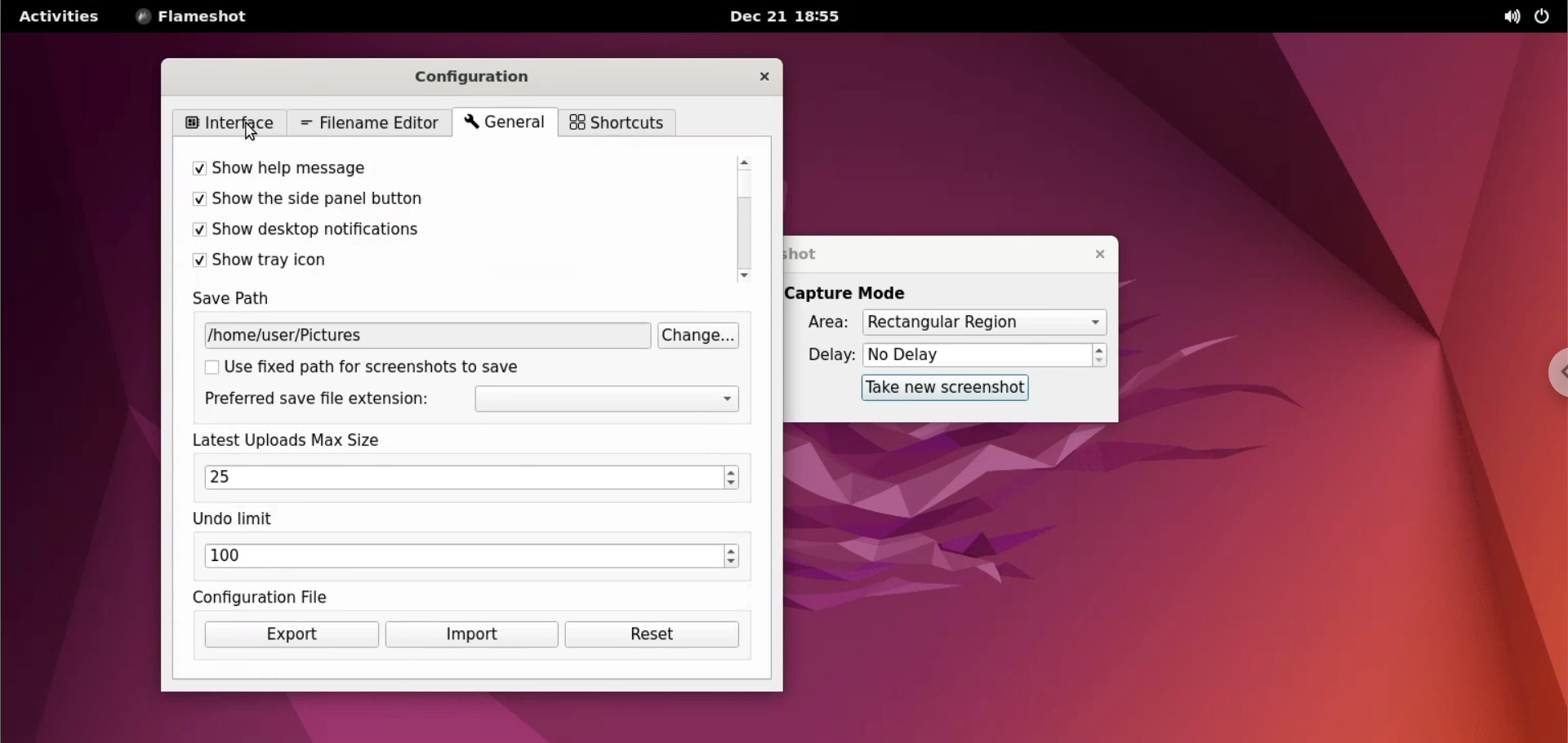  What do you see at coordinates (239, 519) in the screenshot?
I see `undo limit` at bounding box center [239, 519].